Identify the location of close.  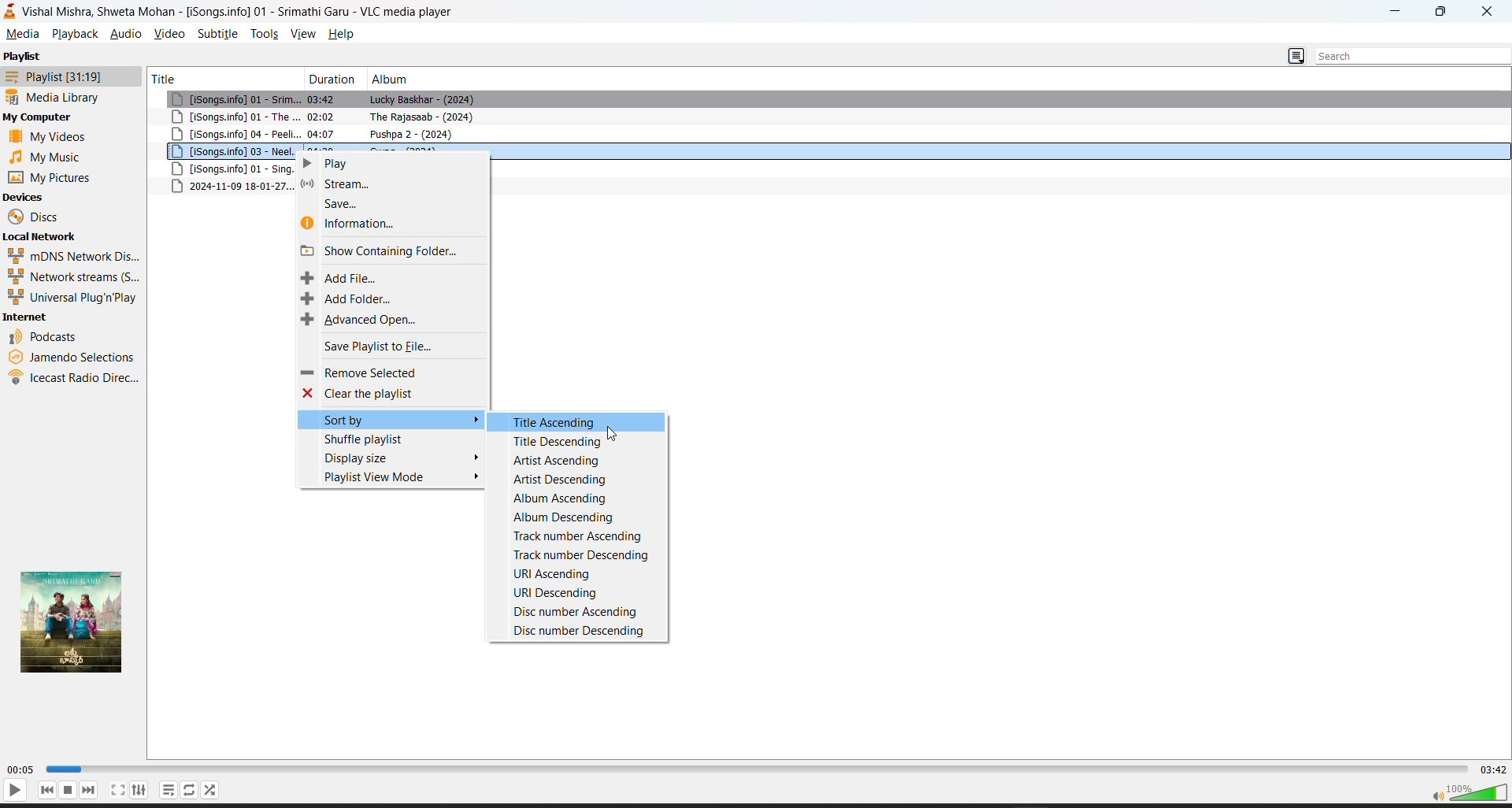
(1492, 11).